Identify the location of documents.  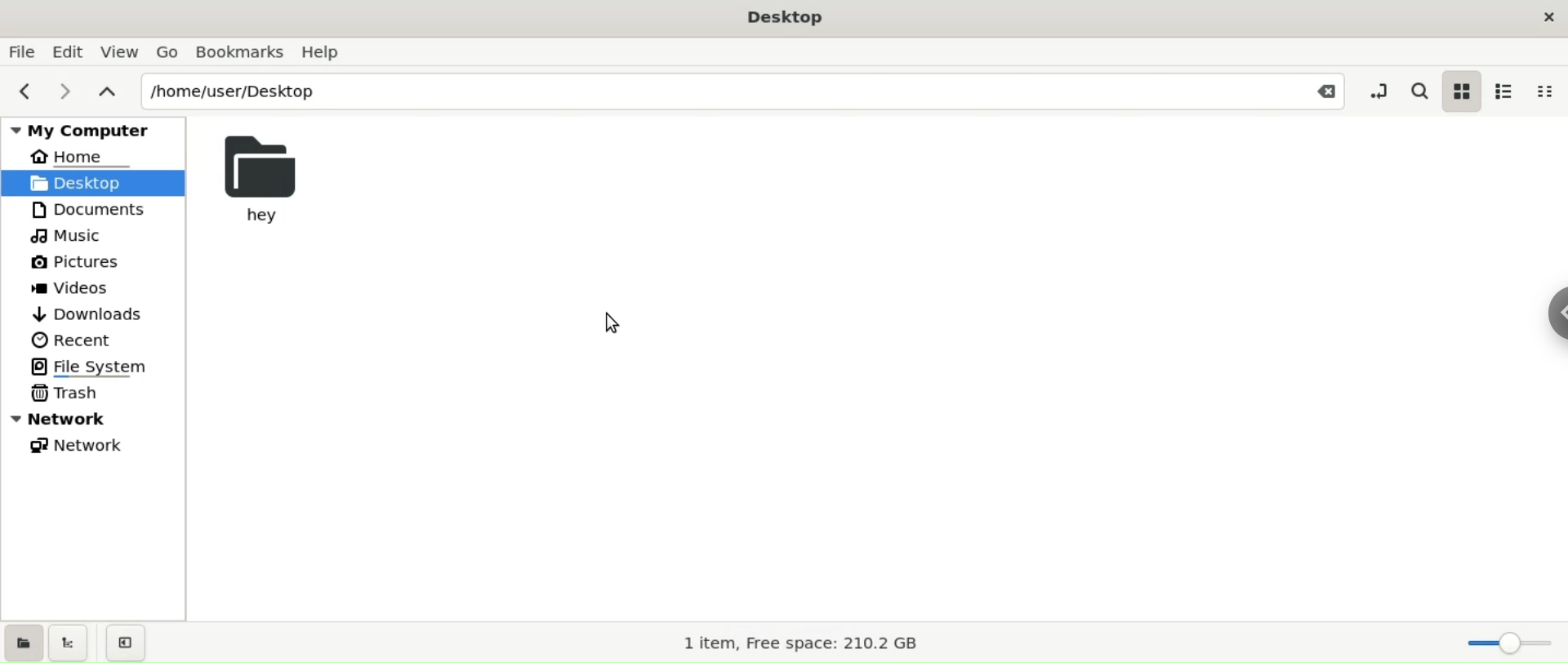
(91, 209).